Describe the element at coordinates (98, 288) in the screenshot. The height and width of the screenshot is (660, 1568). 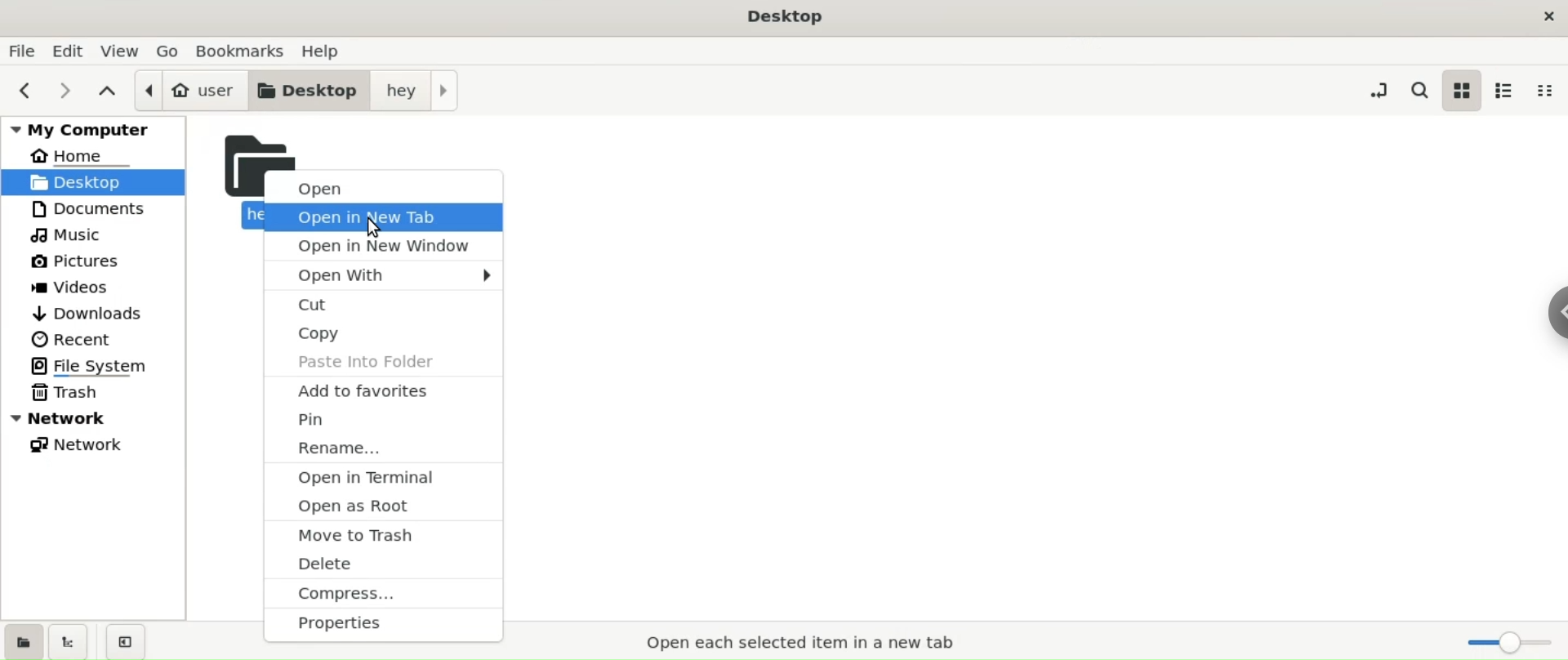
I see `videos` at that location.